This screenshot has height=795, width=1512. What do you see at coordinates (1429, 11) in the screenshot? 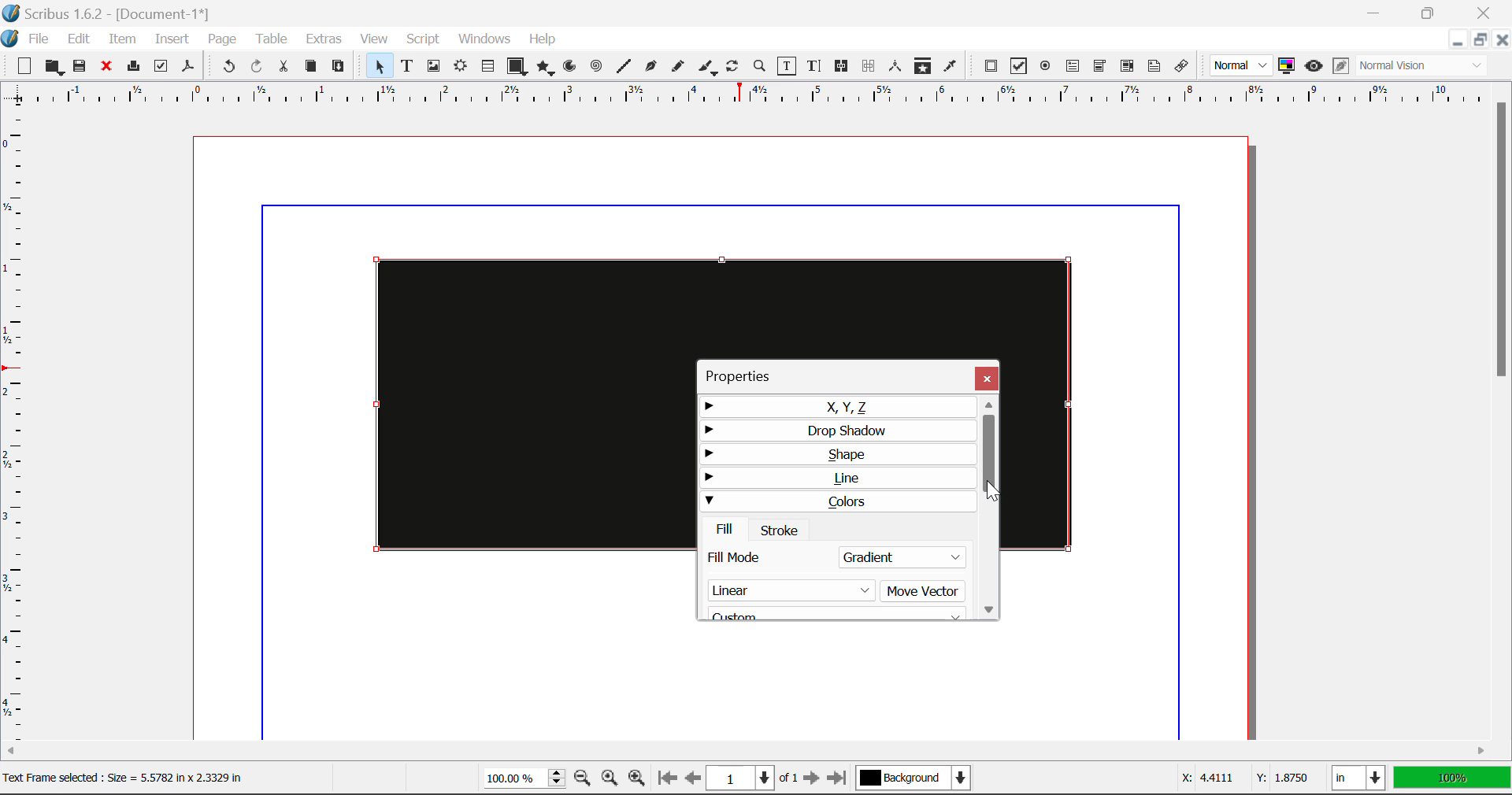
I see `Minimize` at bounding box center [1429, 11].